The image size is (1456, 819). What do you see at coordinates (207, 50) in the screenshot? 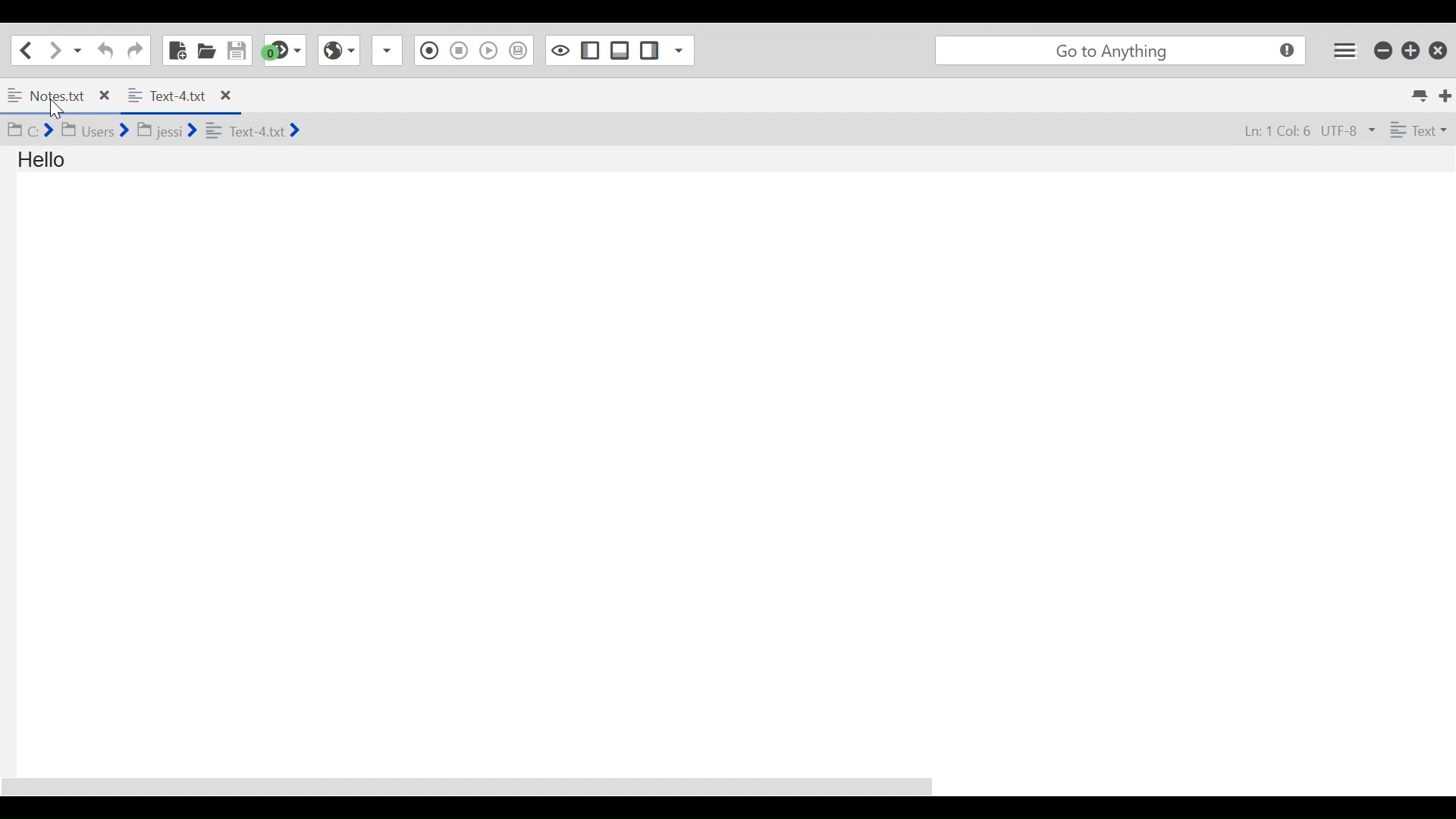
I see `Open` at bounding box center [207, 50].